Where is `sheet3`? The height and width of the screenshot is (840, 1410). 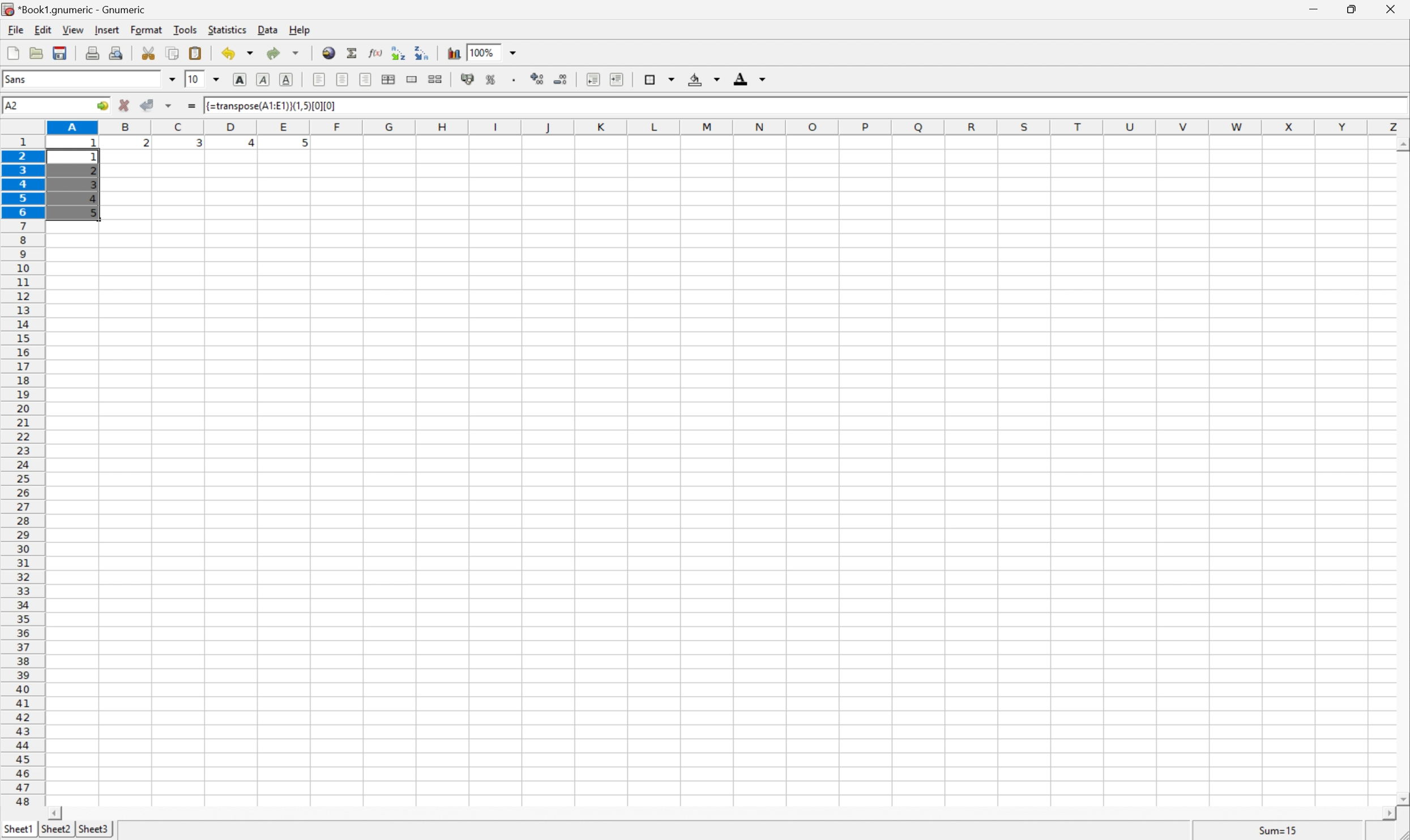 sheet3 is located at coordinates (93, 832).